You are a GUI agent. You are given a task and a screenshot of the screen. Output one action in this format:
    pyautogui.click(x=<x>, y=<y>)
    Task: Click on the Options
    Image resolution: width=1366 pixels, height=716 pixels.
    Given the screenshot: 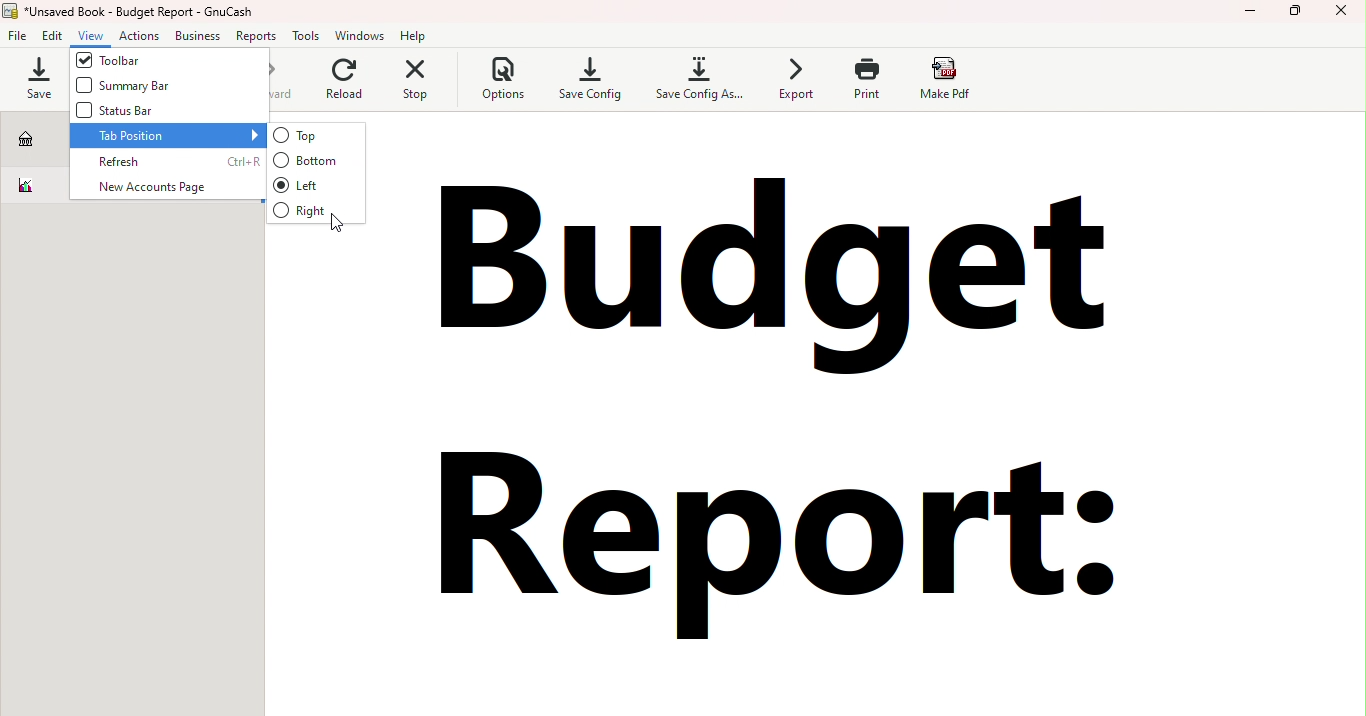 What is the action you would take?
    pyautogui.click(x=505, y=81)
    